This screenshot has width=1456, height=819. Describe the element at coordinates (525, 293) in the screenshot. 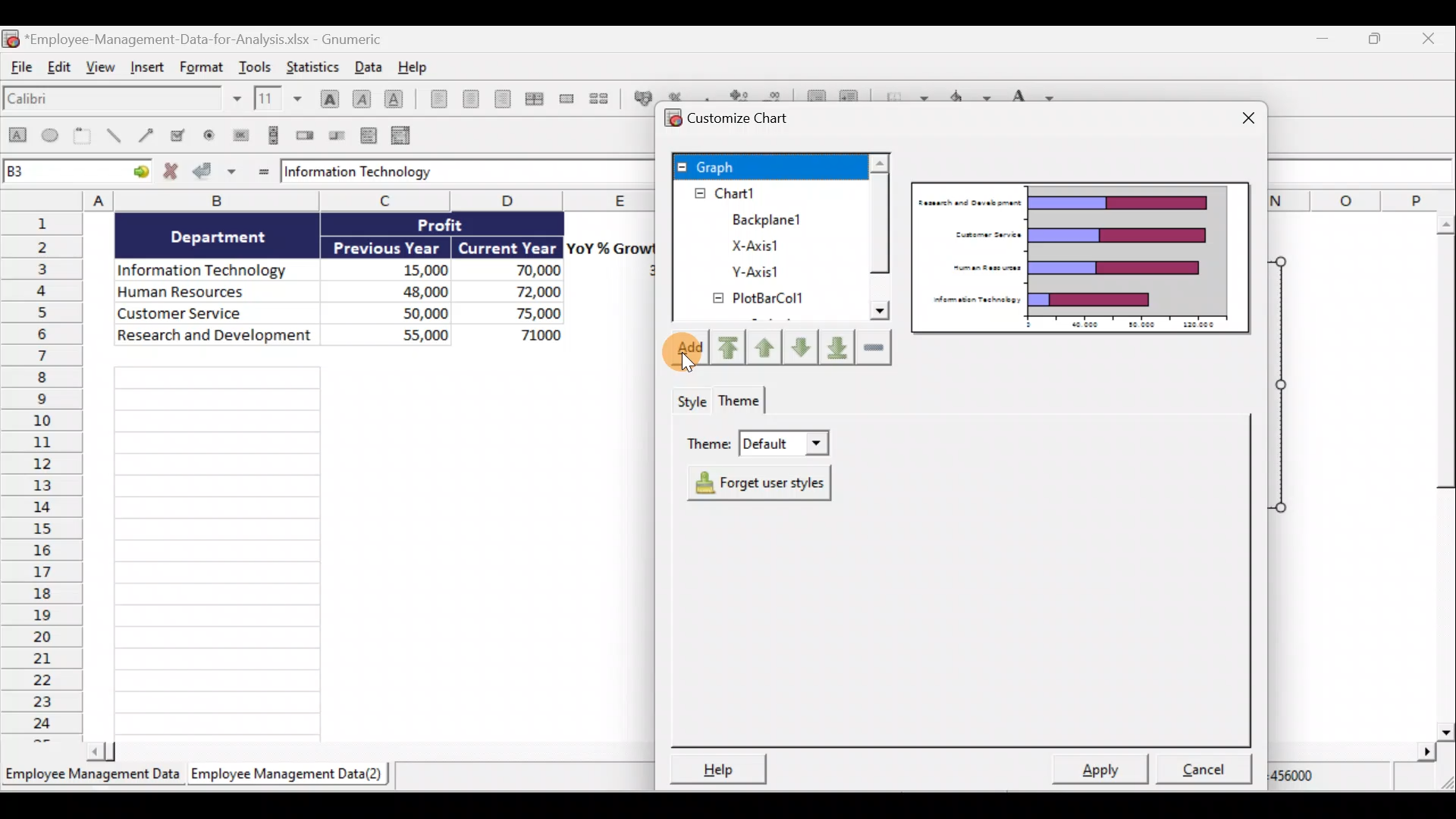

I see `72,000` at that location.